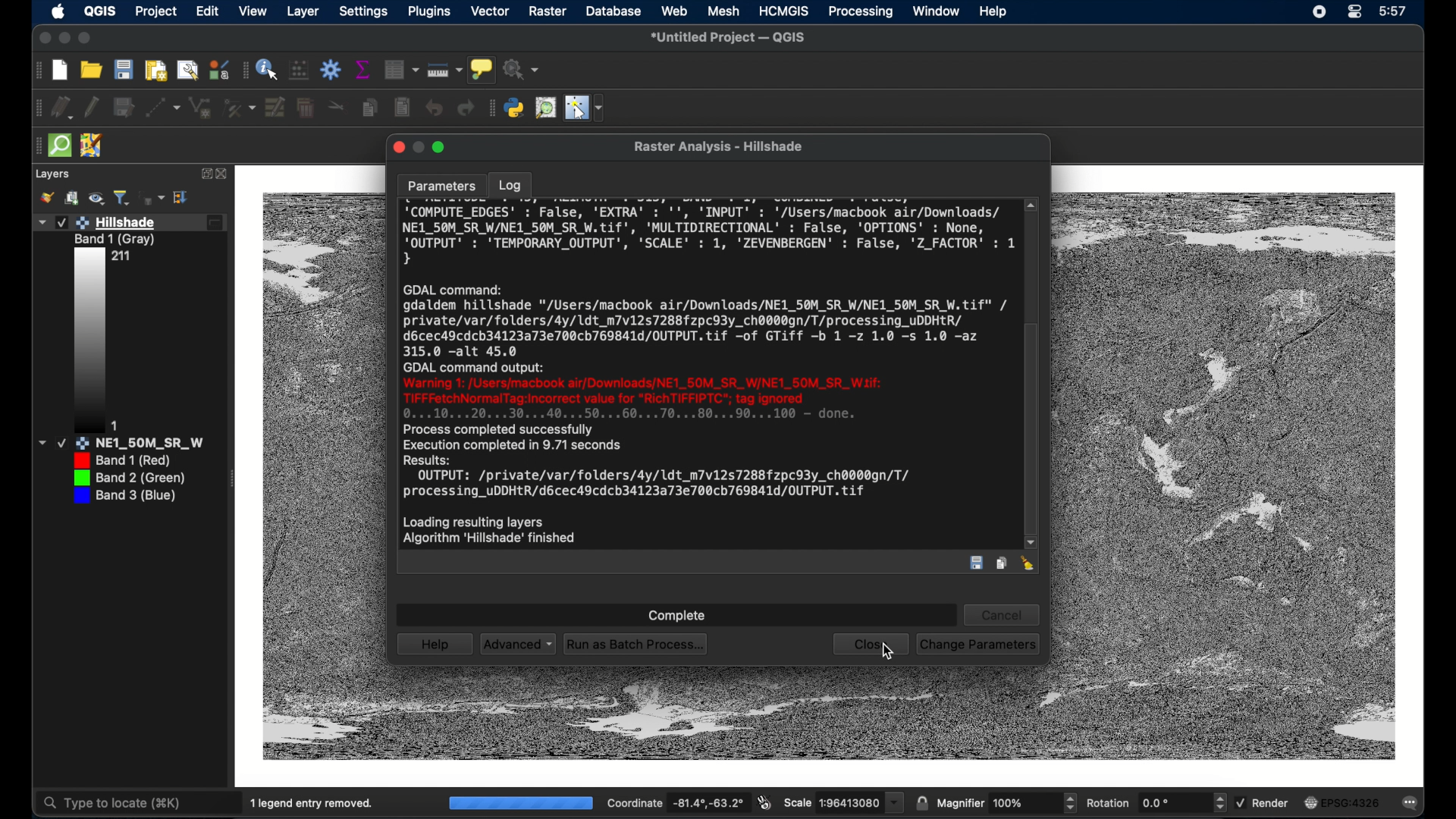  What do you see at coordinates (585, 109) in the screenshot?
I see `switches mouse to configurable pointer` at bounding box center [585, 109].